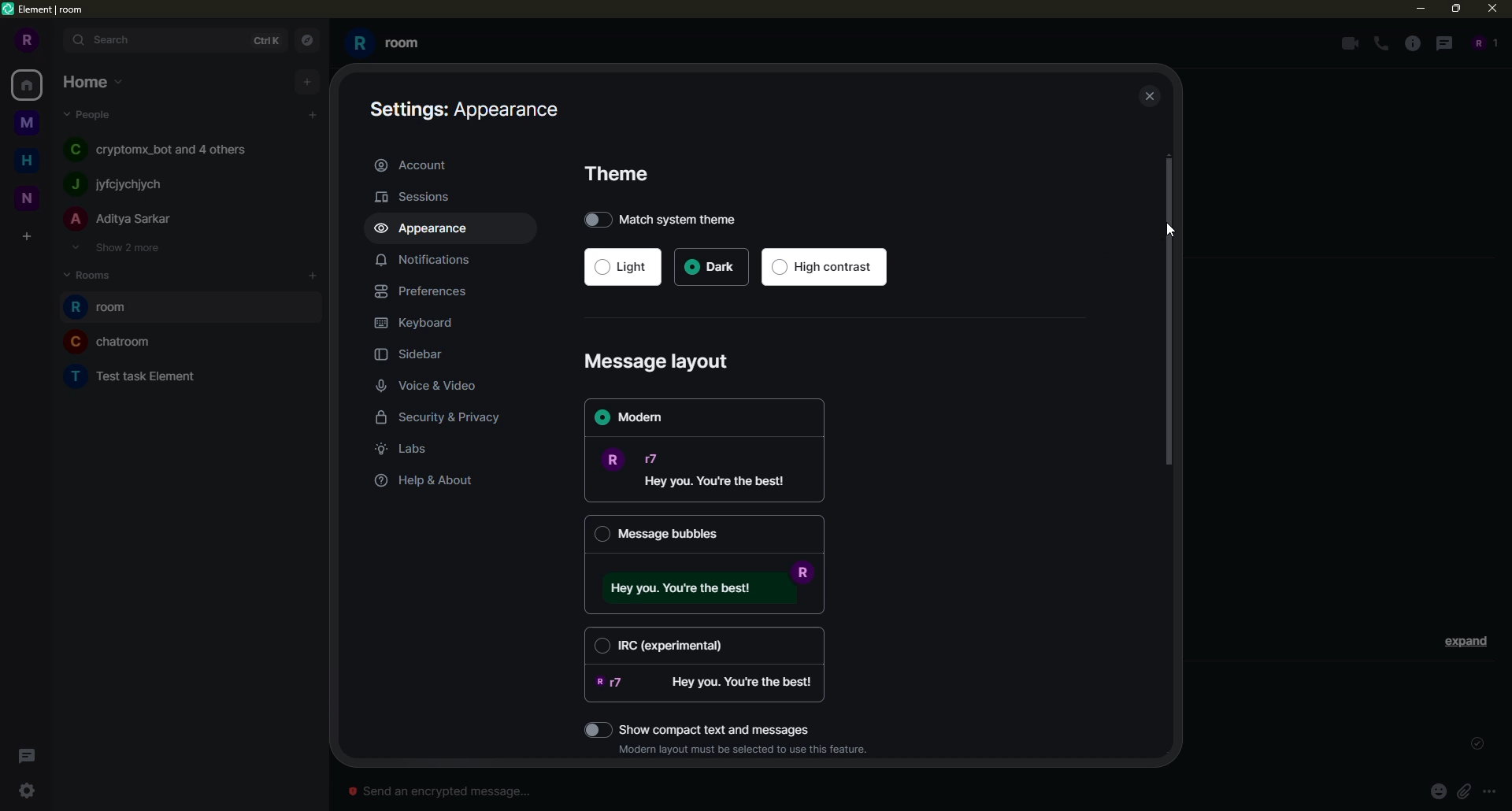 Image resolution: width=1512 pixels, height=811 pixels. I want to click on match system theme, so click(671, 218).